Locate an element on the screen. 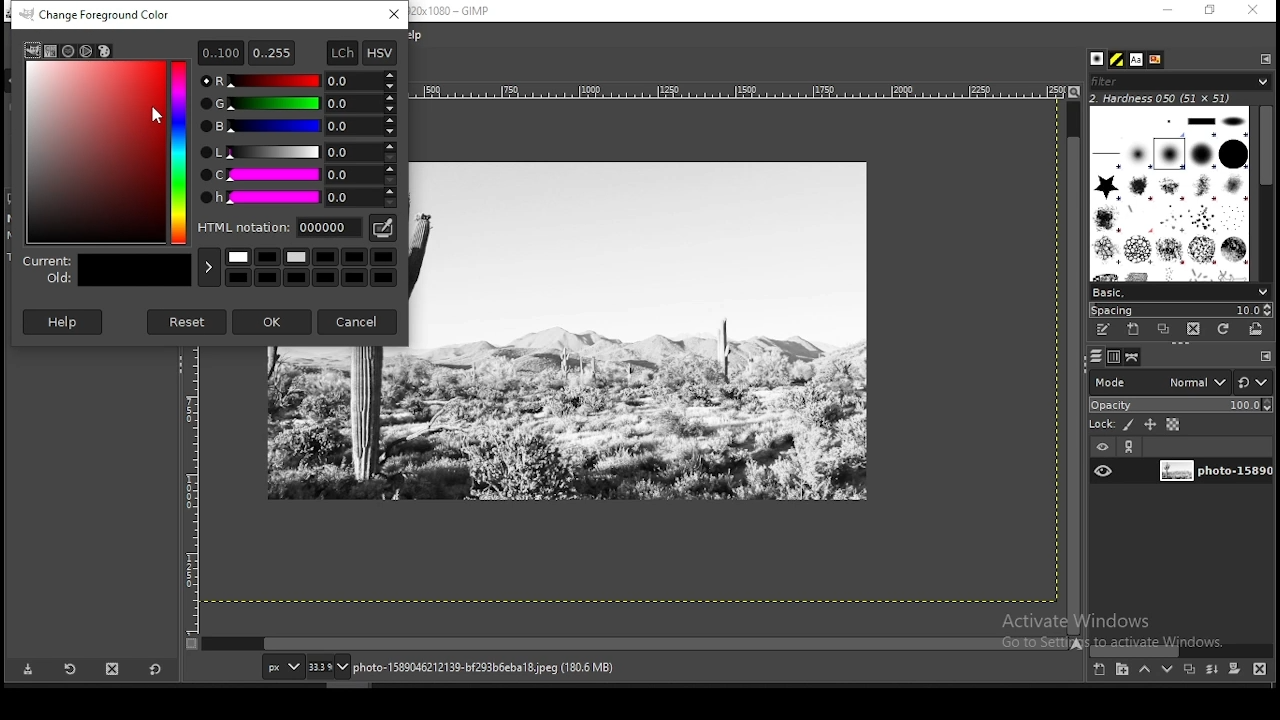 The height and width of the screenshot is (720, 1280). HSV is located at coordinates (379, 52).